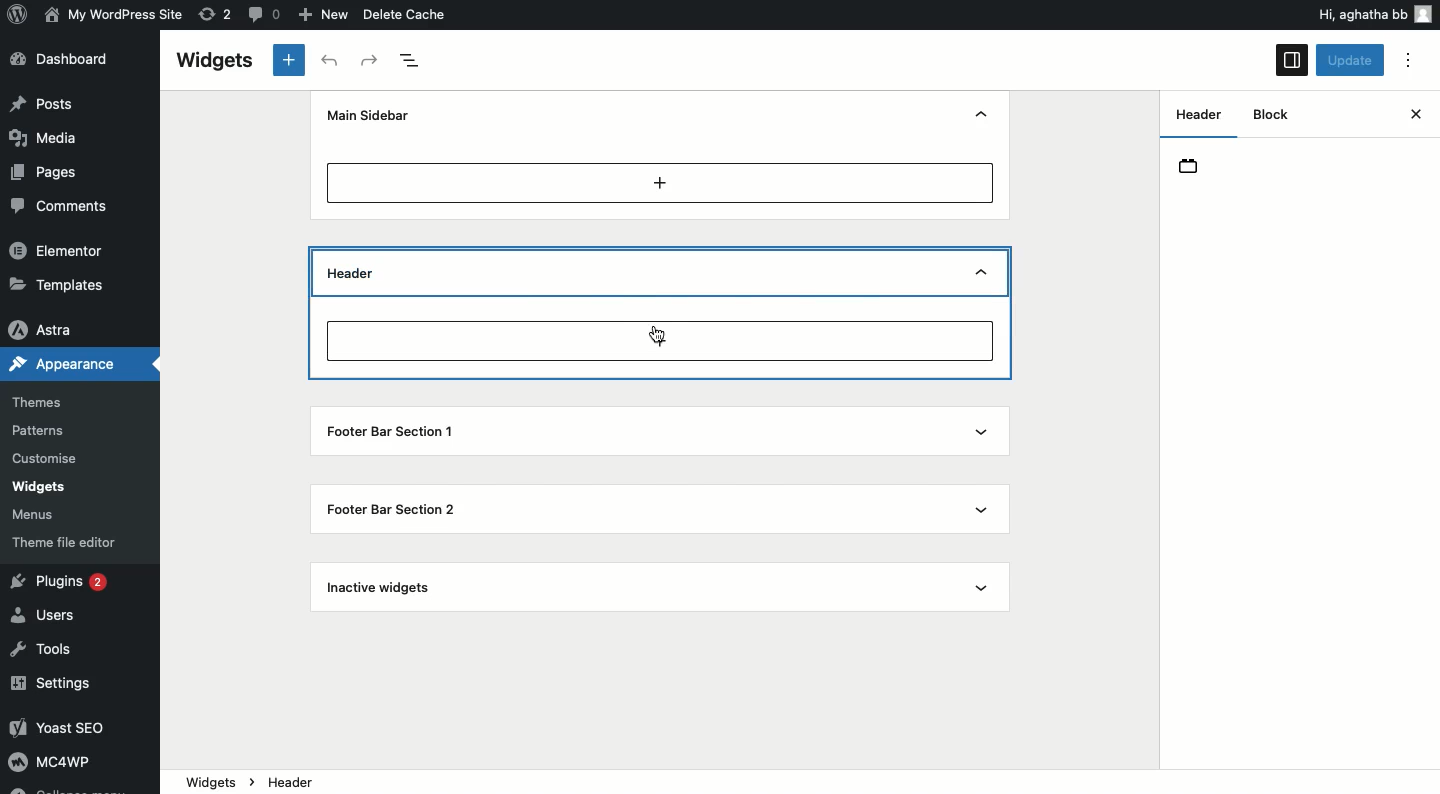 The height and width of the screenshot is (794, 1440). What do you see at coordinates (1373, 14) in the screenshot?
I see `Hi user` at bounding box center [1373, 14].